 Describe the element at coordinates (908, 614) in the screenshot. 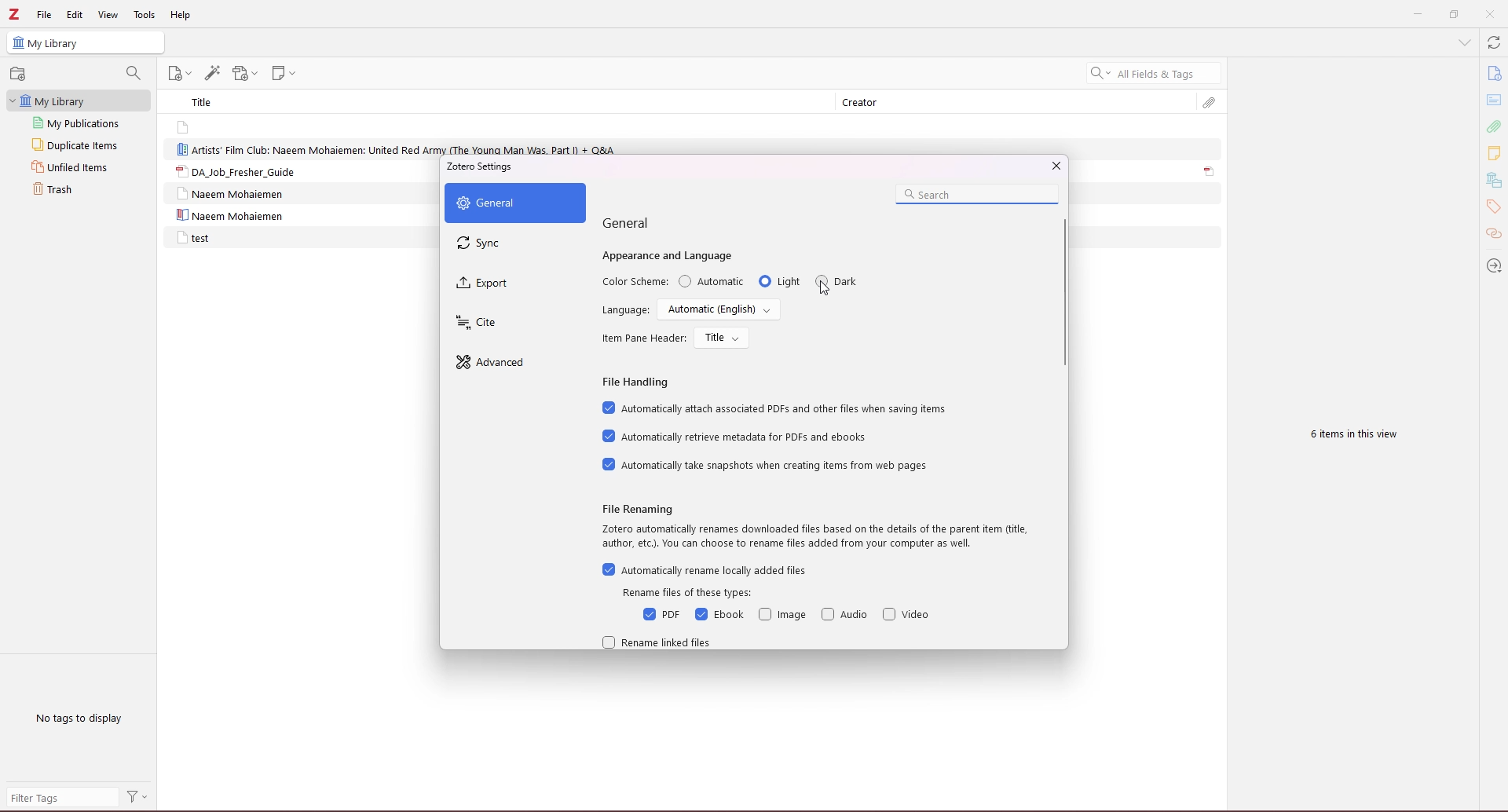

I see `video` at that location.